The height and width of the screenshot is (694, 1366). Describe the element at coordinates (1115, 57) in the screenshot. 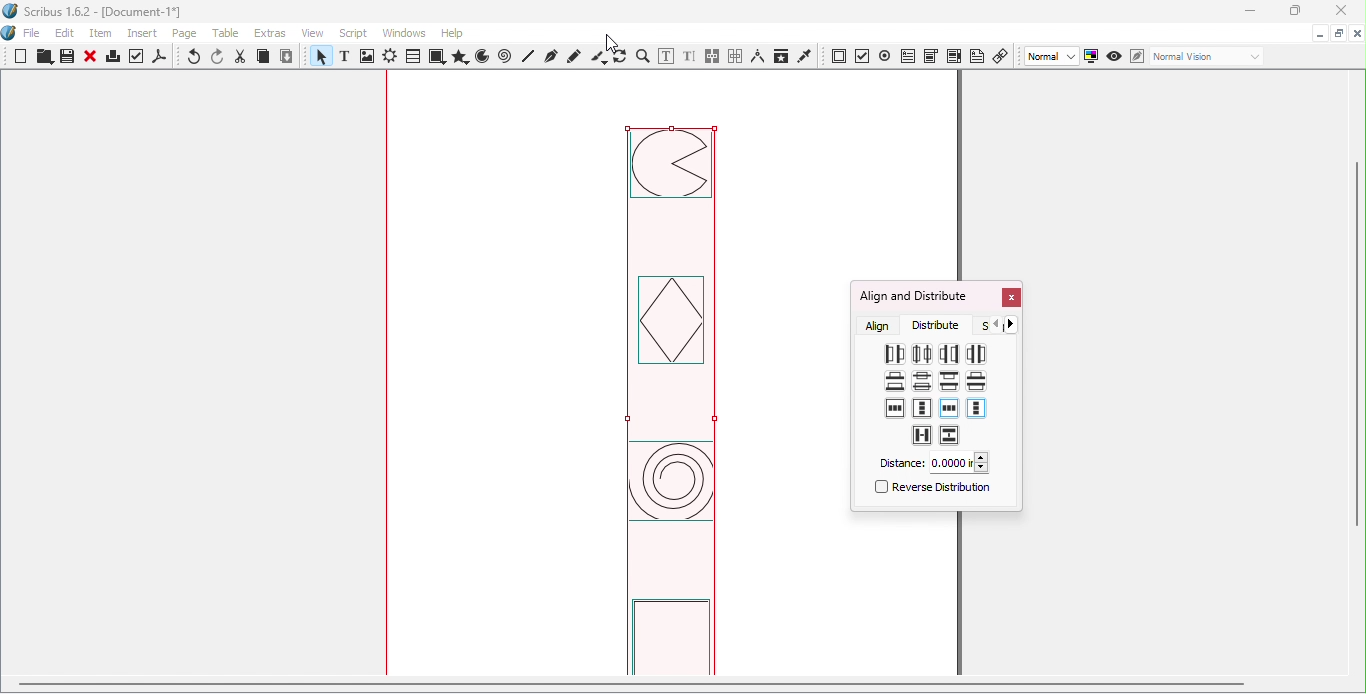

I see `Preview mode` at that location.